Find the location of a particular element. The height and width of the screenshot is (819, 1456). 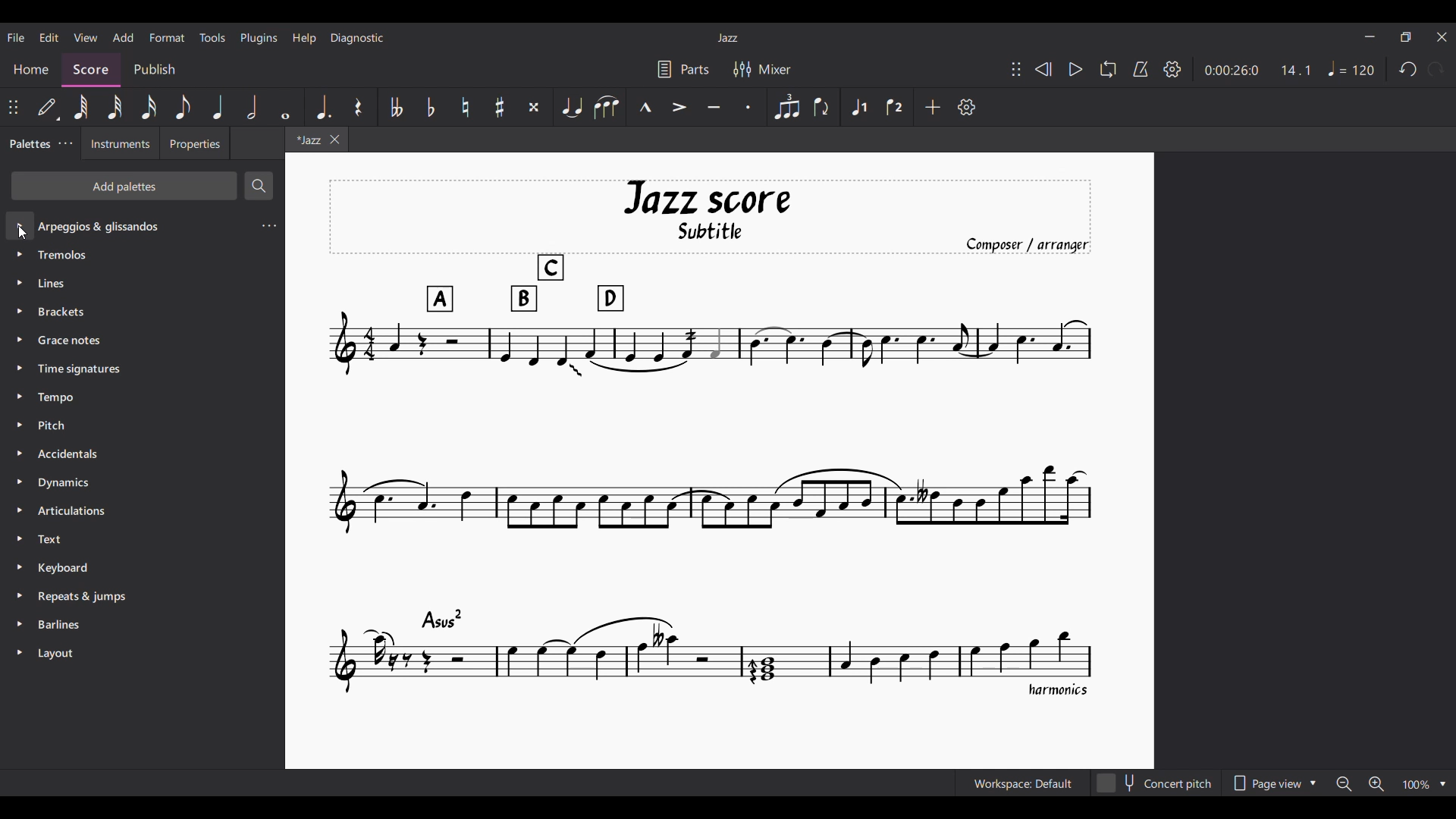

Toggle sharp is located at coordinates (500, 107).